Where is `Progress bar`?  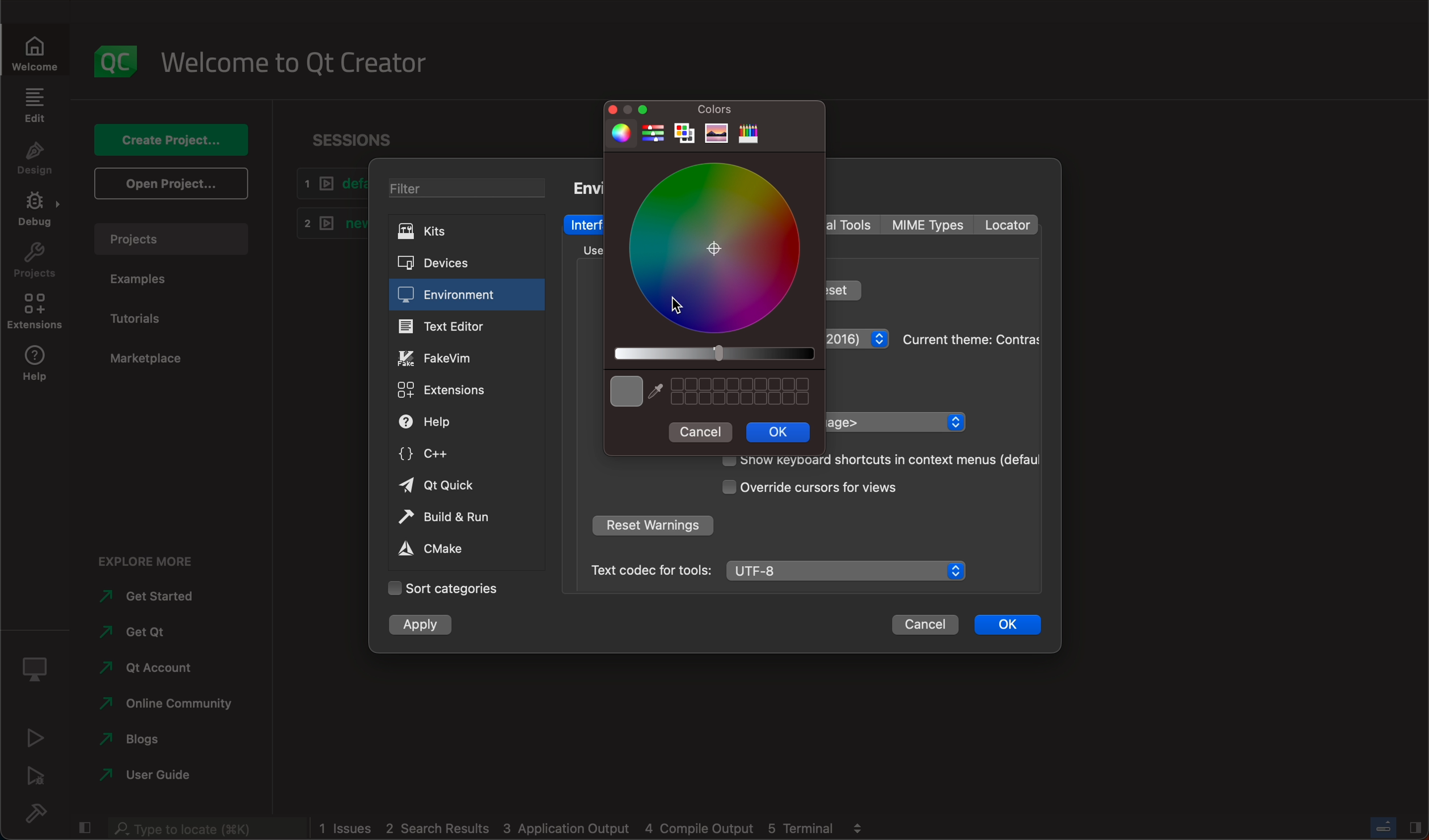
Progress bar is located at coordinates (1384, 827).